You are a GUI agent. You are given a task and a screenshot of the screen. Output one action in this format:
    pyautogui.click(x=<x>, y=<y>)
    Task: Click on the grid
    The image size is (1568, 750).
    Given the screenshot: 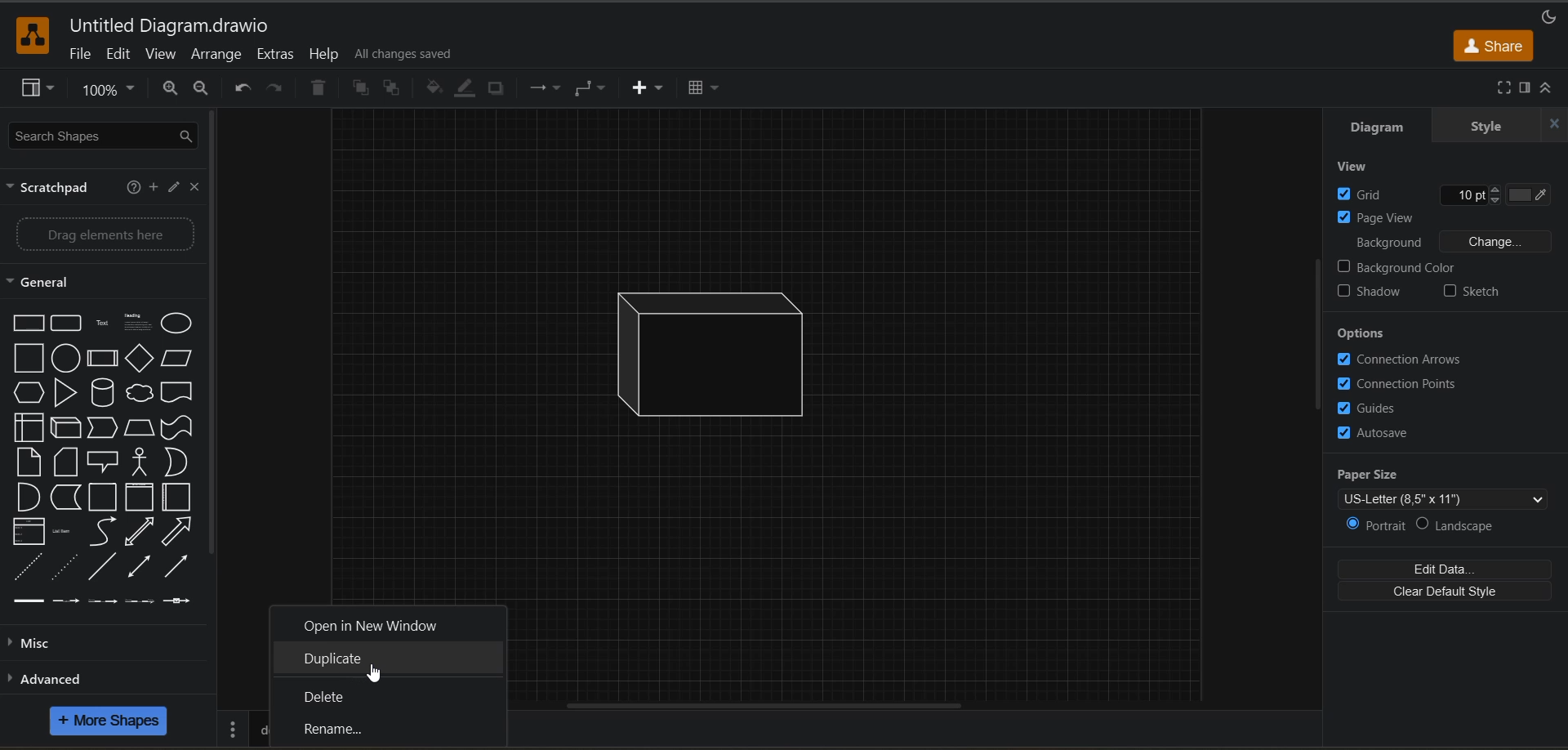 What is the action you would take?
    pyautogui.click(x=1370, y=194)
    